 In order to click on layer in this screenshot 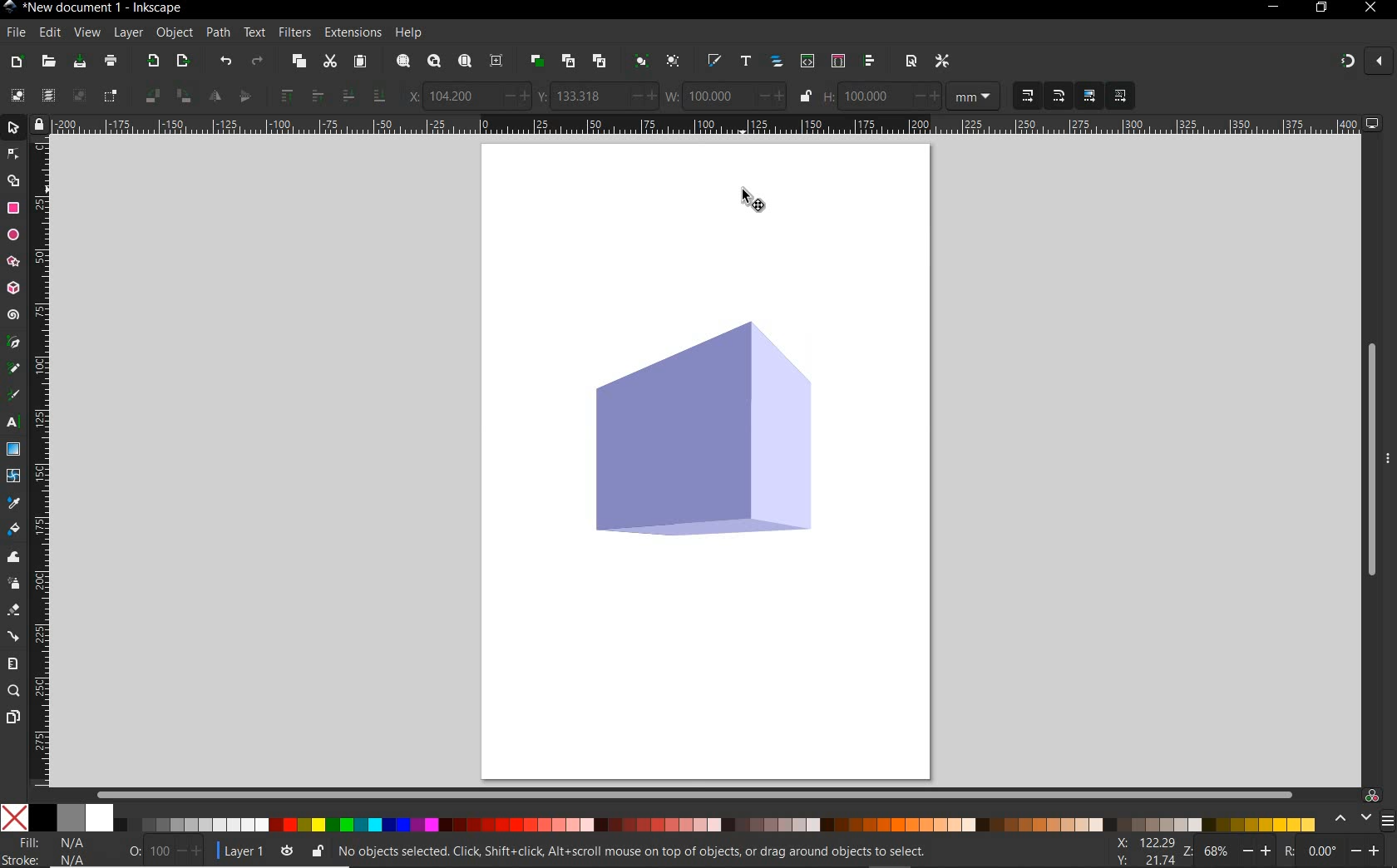, I will do `click(128, 33)`.